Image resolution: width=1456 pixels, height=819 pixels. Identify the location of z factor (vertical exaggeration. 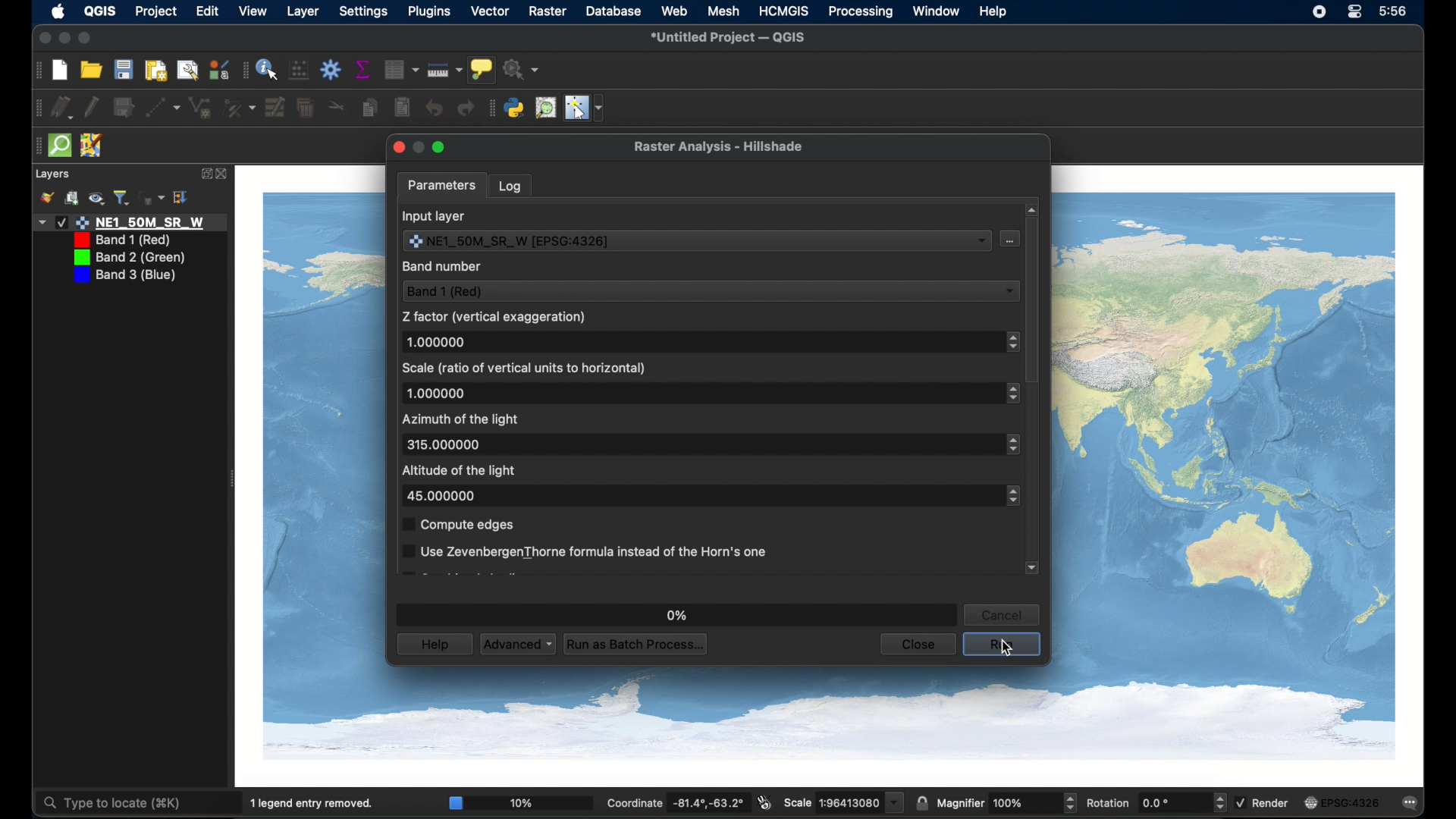
(498, 317).